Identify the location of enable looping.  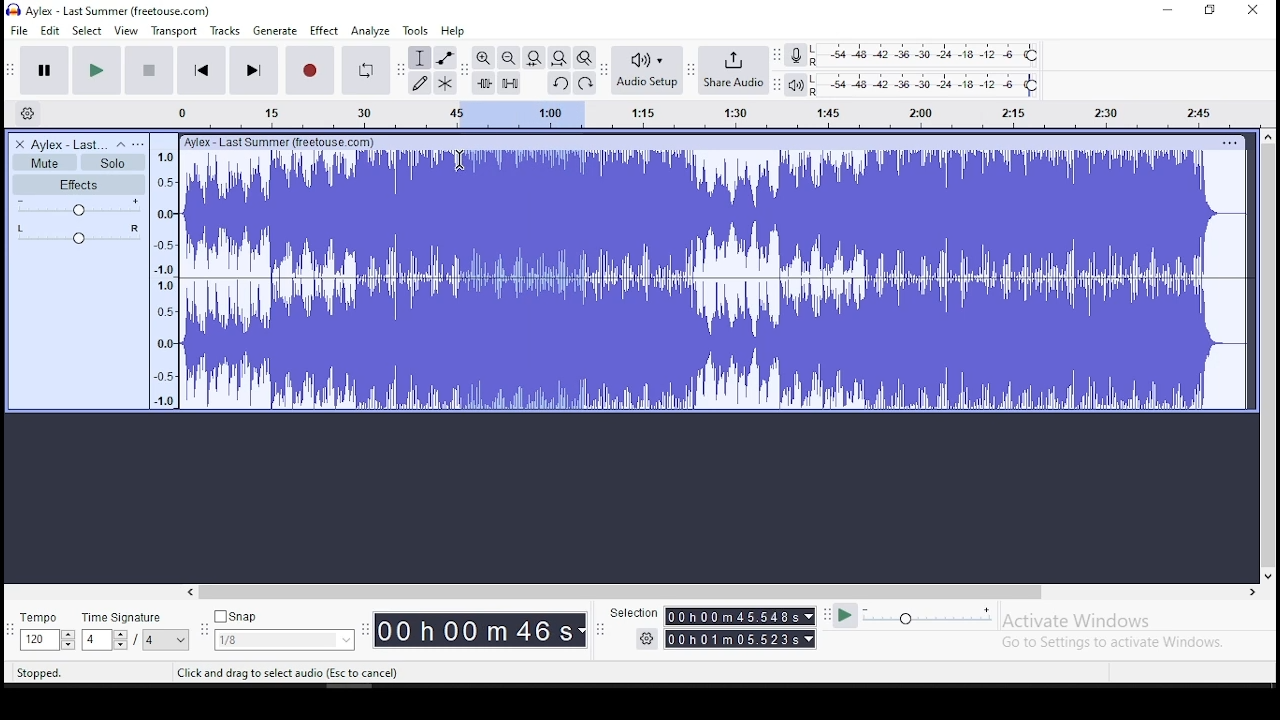
(366, 70).